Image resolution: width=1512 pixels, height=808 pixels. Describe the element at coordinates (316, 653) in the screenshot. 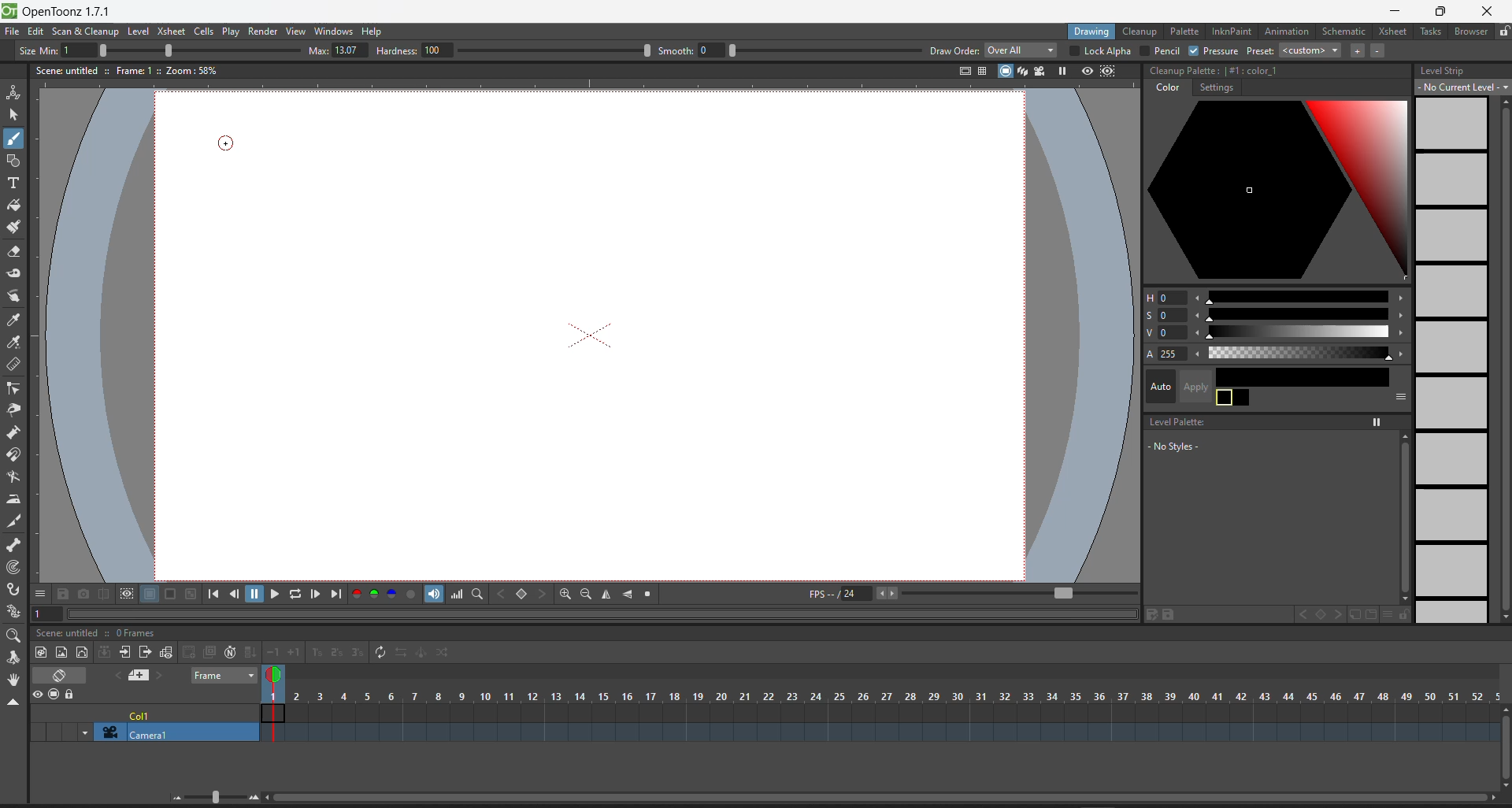

I see `reframe on 1` at that location.